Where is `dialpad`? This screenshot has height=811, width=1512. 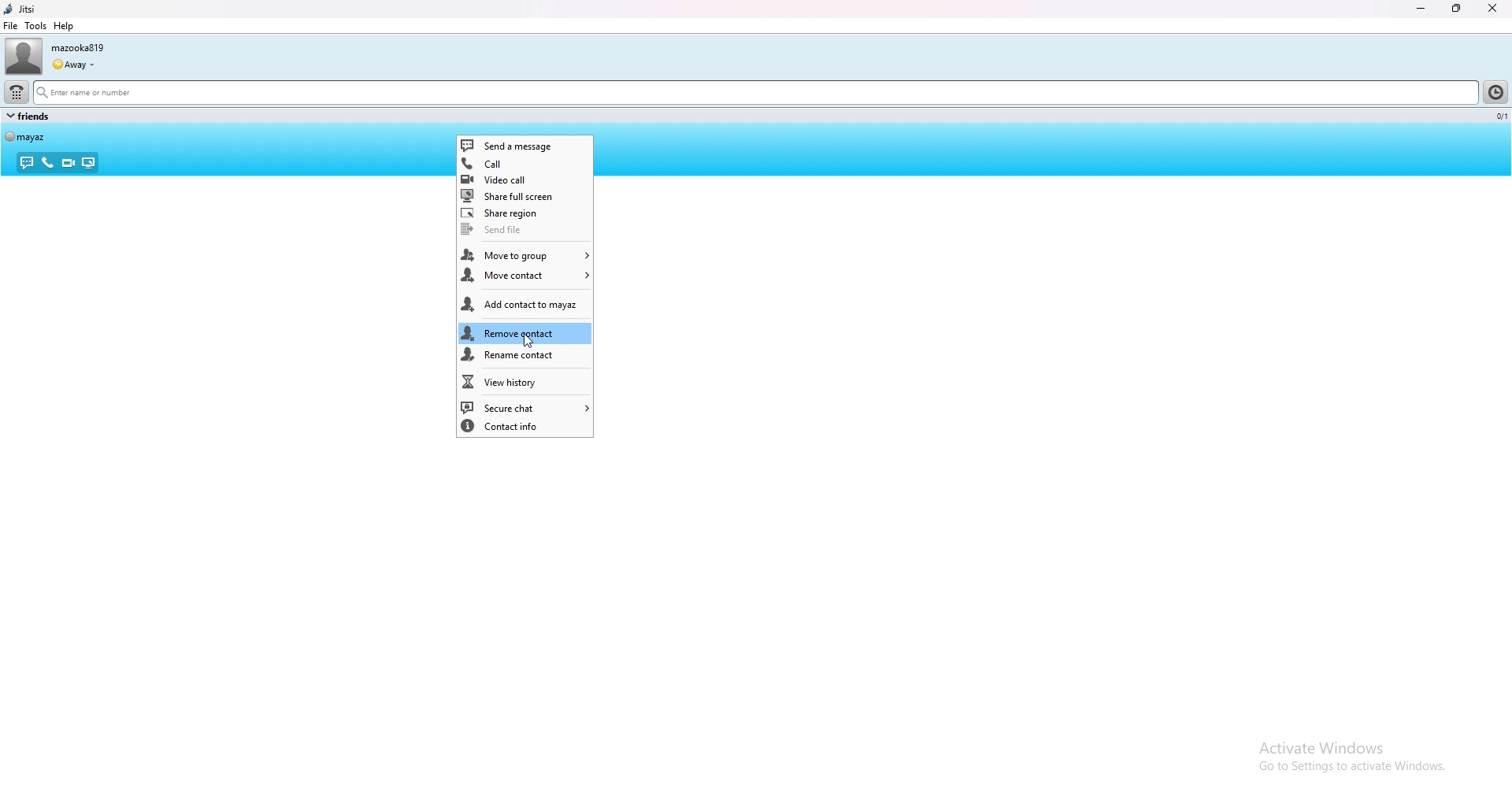 dialpad is located at coordinates (16, 91).